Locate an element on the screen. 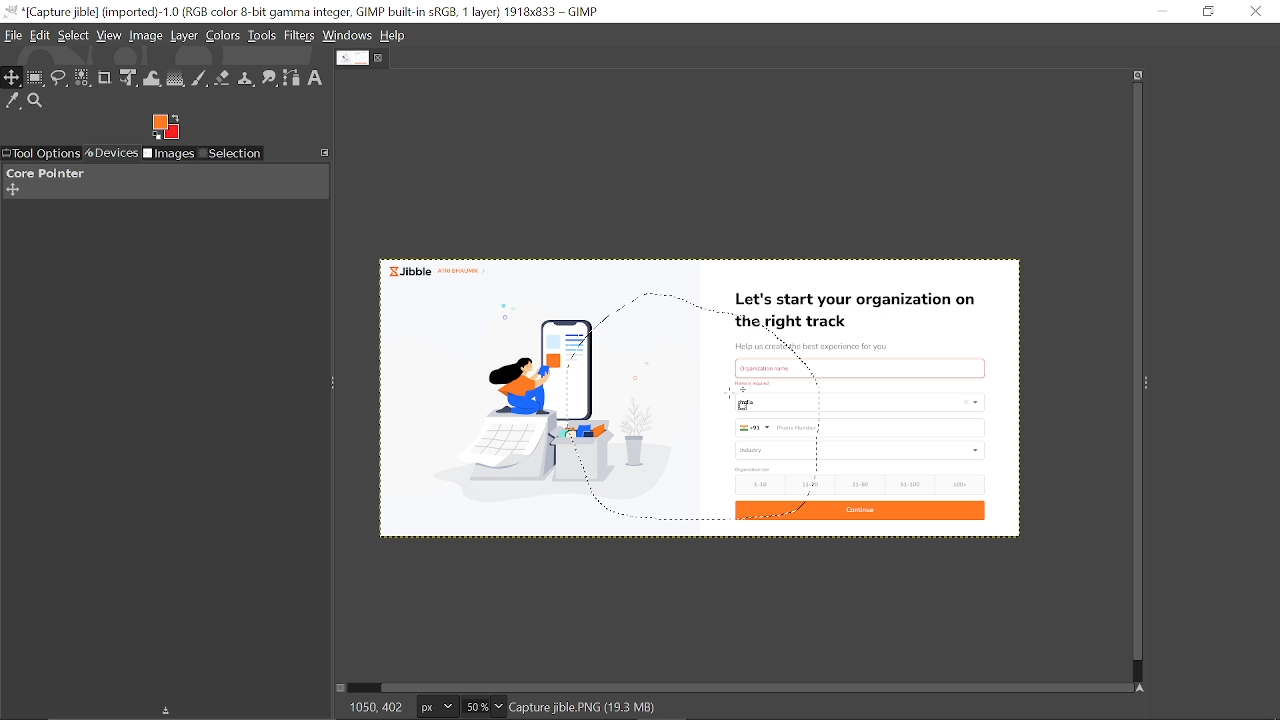 This screenshot has width=1280, height=720. Save device status is located at coordinates (170, 712).